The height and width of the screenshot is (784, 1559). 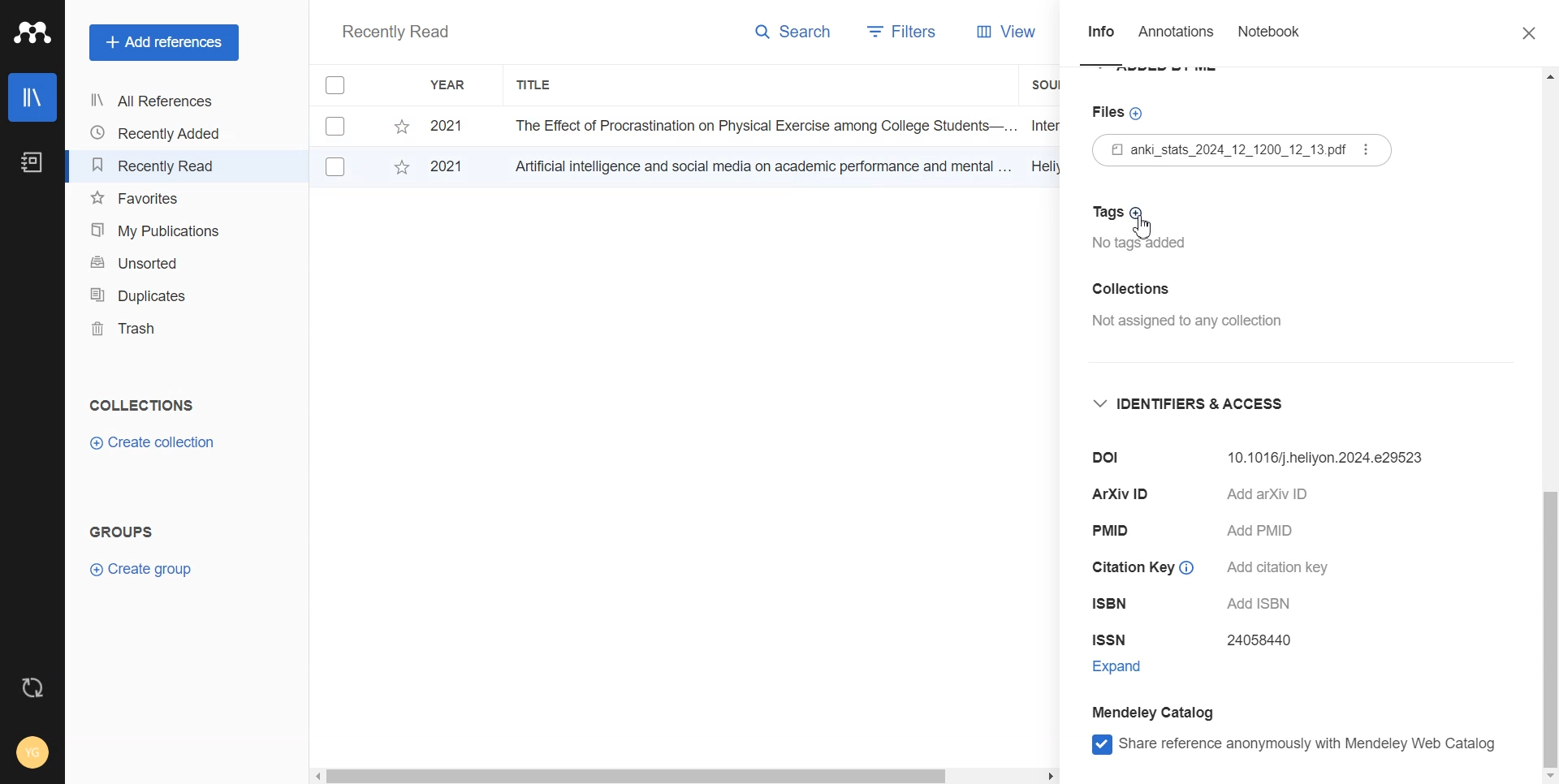 What do you see at coordinates (759, 125) in the screenshot?
I see `The Effect of Procrastination on Physical Exercise among College Students—...` at bounding box center [759, 125].